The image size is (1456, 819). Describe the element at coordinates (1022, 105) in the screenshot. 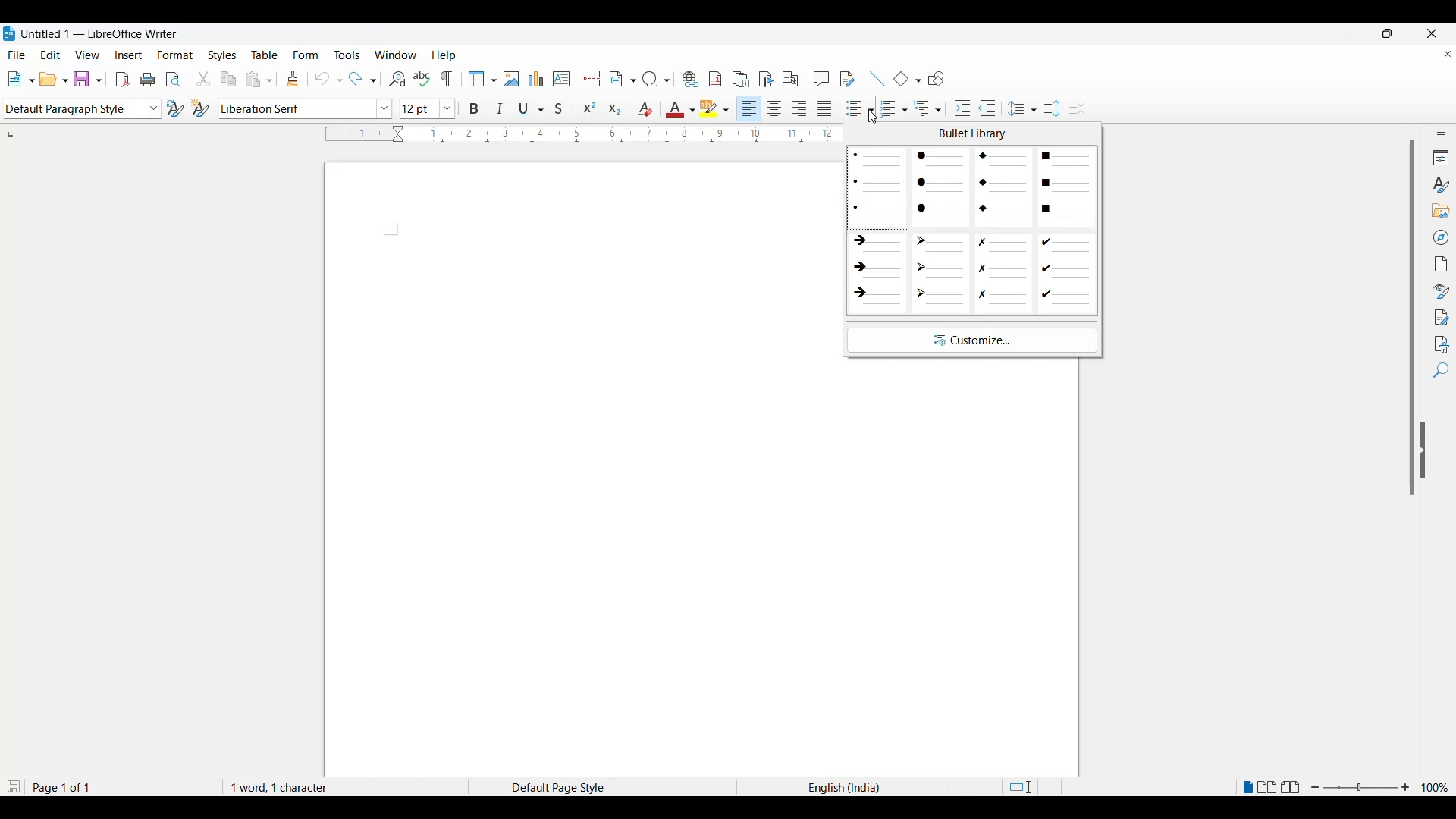

I see `Selected line spacing` at that location.